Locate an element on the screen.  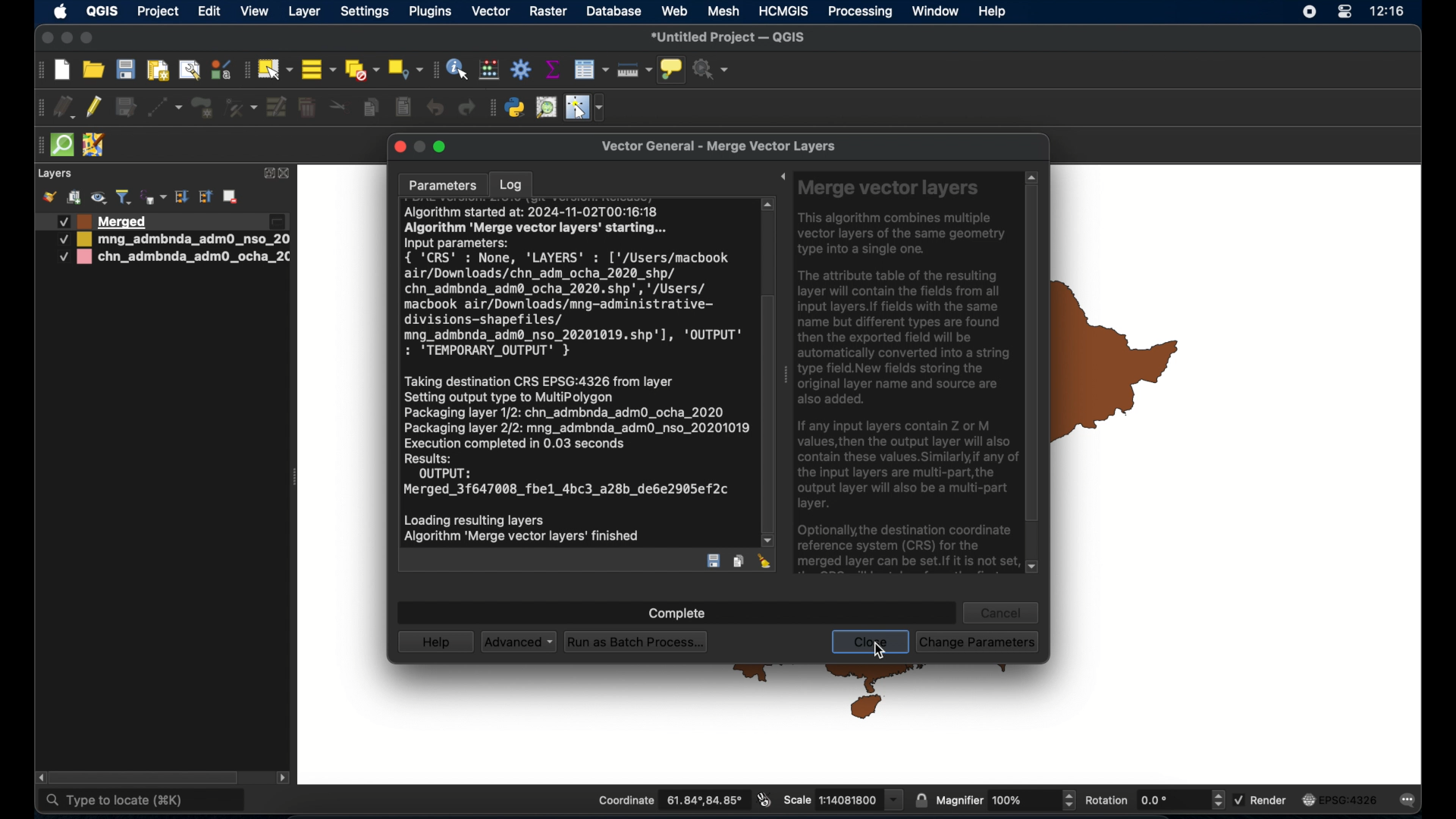
web is located at coordinates (676, 11).